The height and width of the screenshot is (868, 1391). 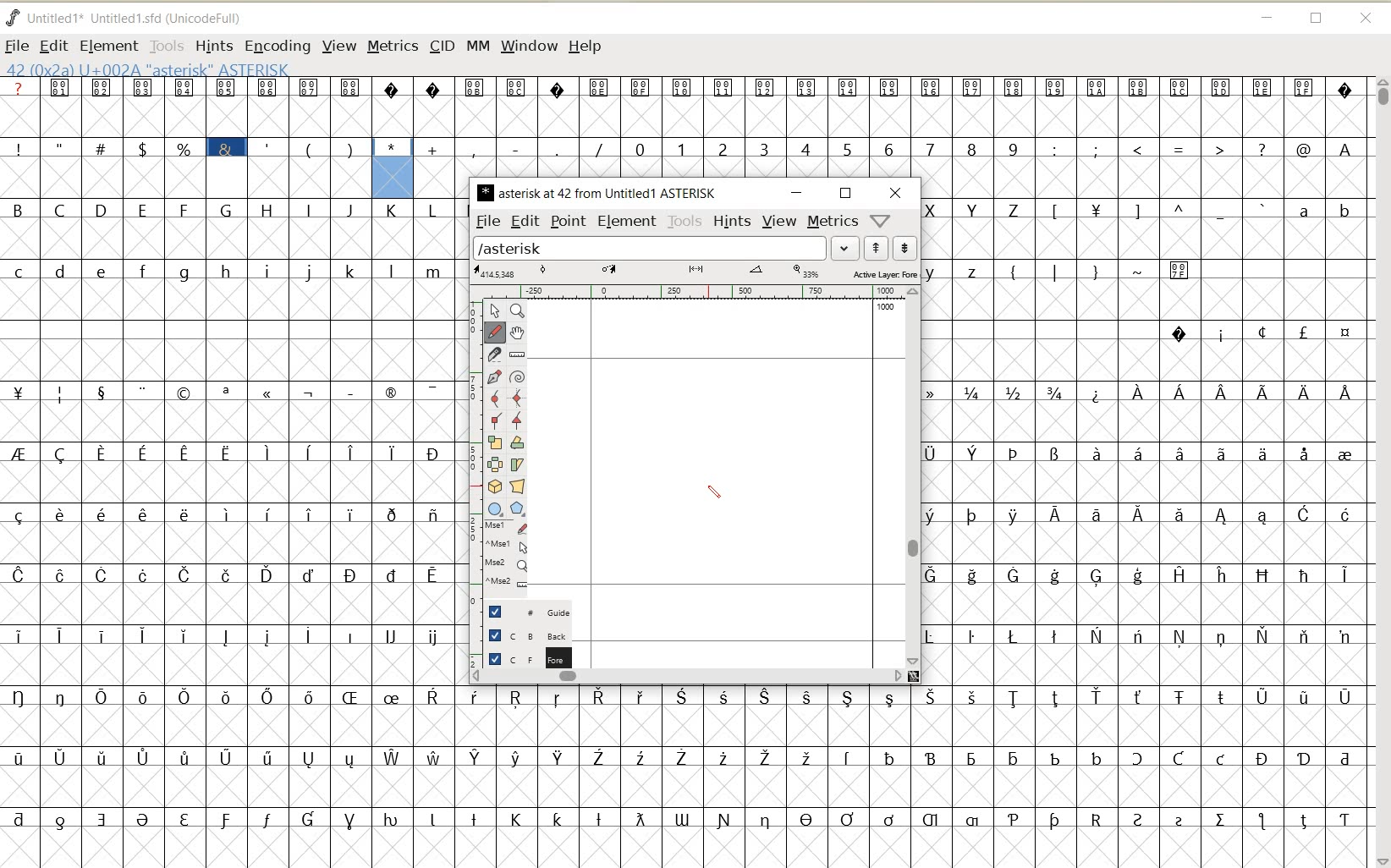 What do you see at coordinates (778, 222) in the screenshot?
I see `VIEW` at bounding box center [778, 222].